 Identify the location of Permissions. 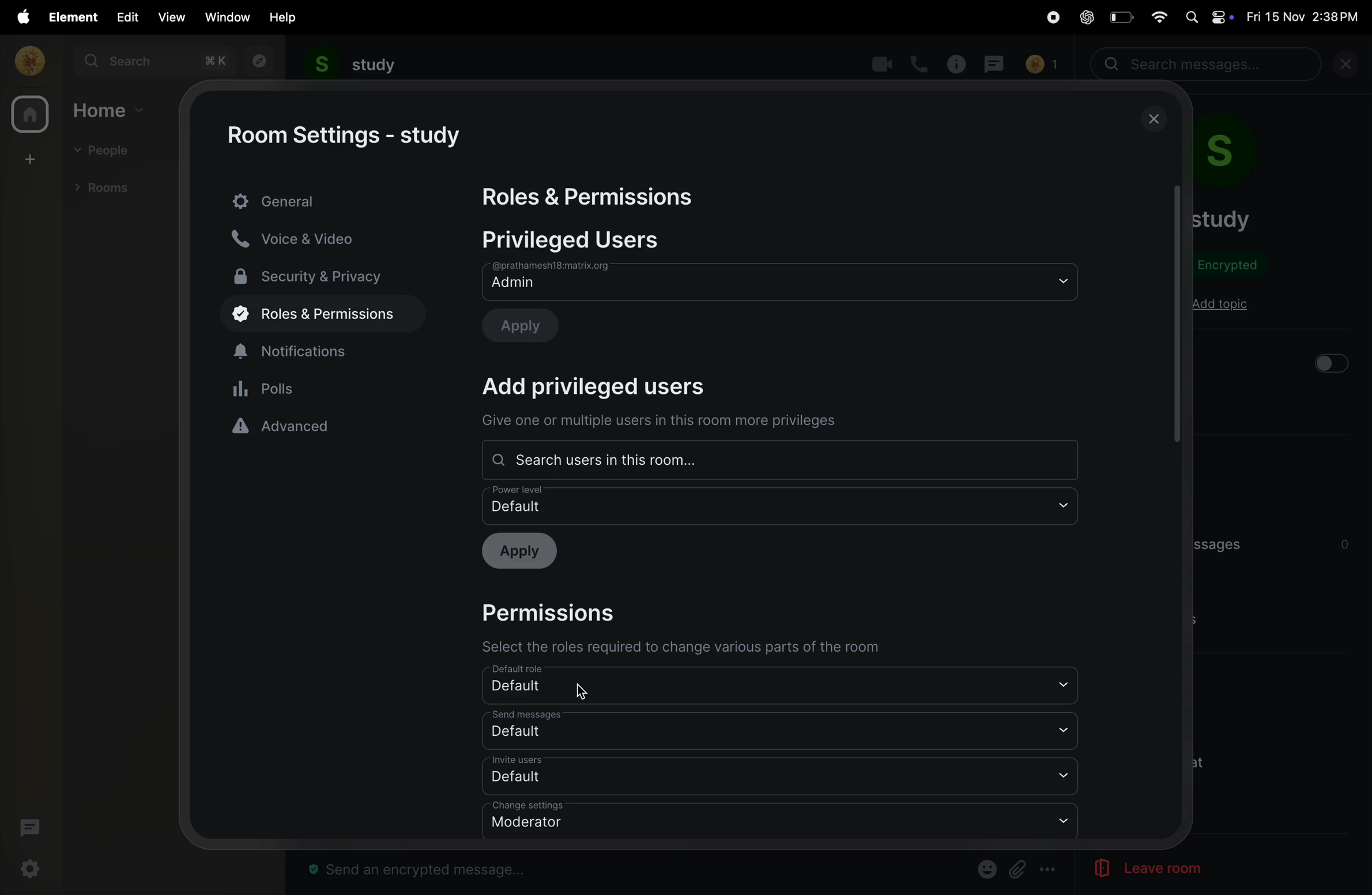
(559, 611).